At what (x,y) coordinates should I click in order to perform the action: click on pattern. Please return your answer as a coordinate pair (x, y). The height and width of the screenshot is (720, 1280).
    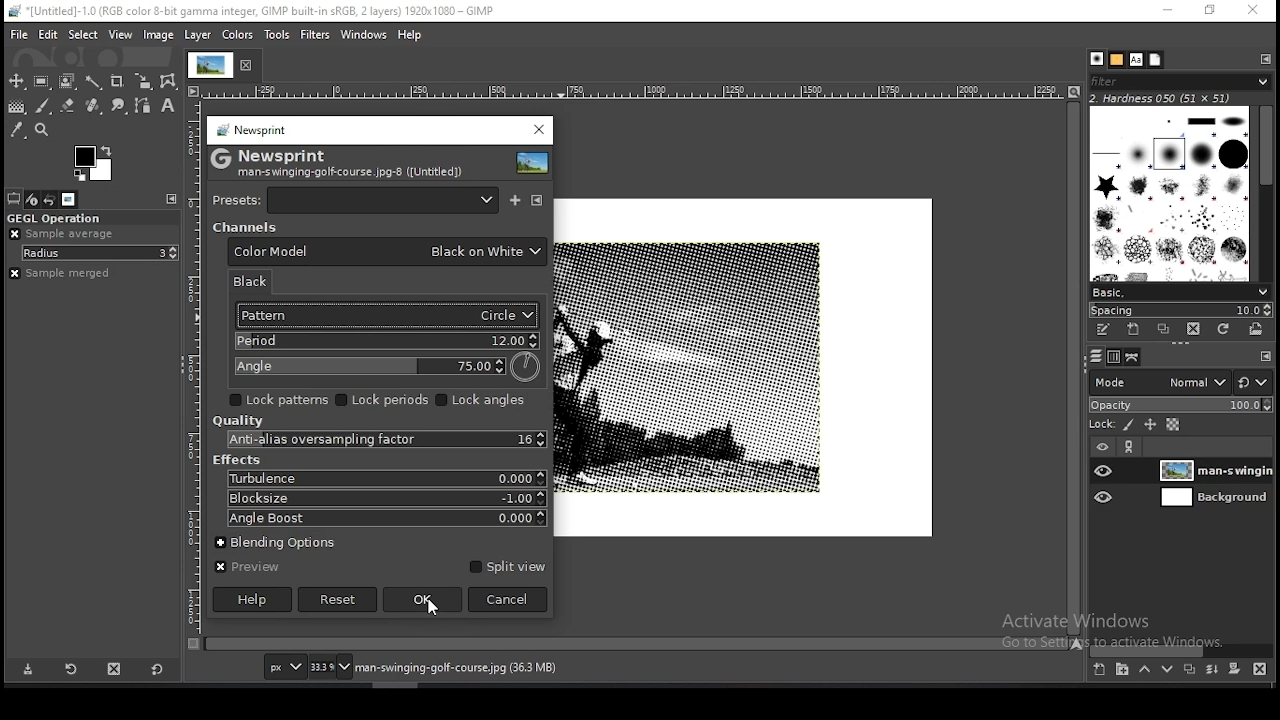
    Looking at the image, I should click on (383, 315).